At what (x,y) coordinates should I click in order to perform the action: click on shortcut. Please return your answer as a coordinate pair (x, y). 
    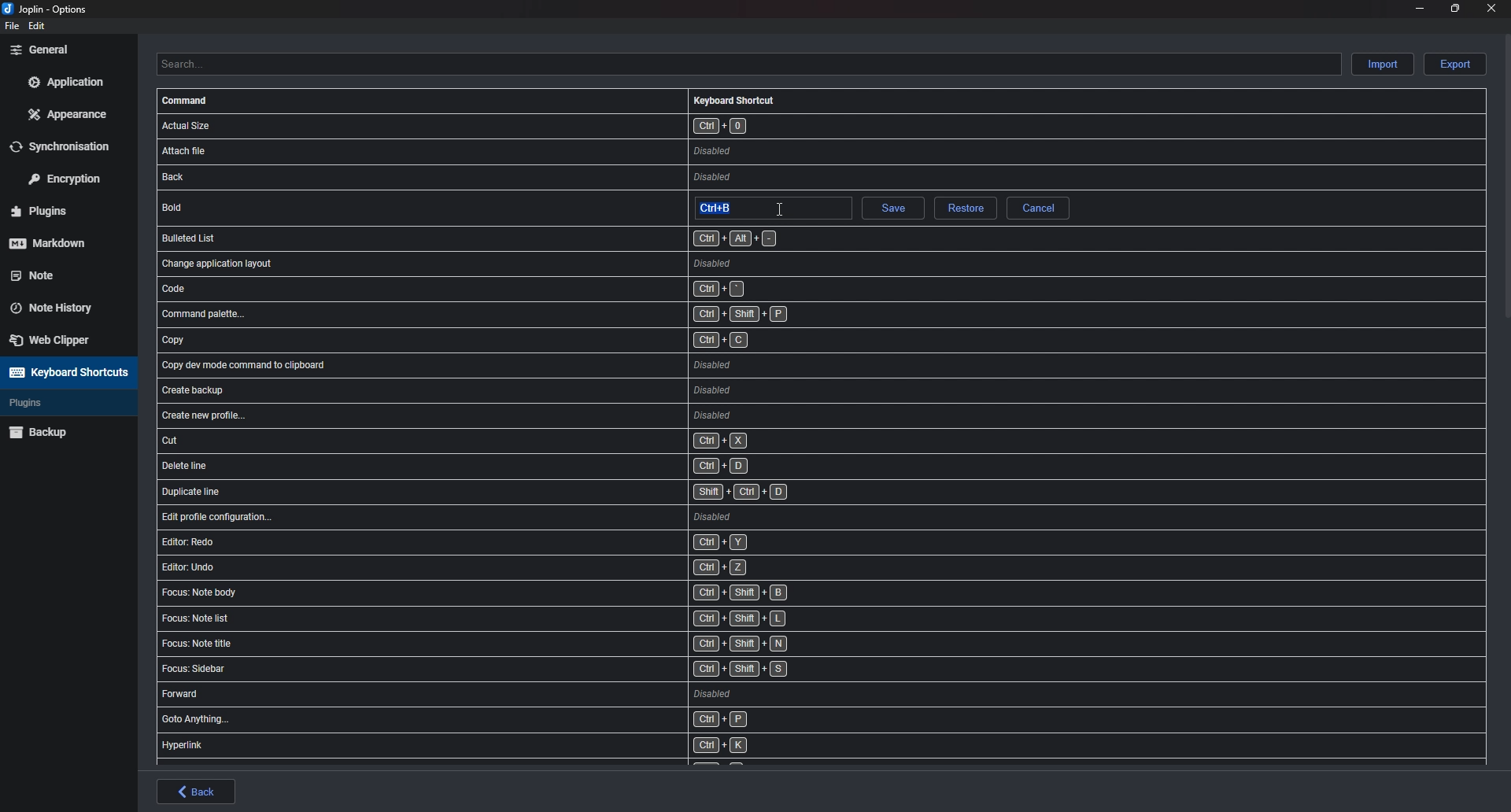
    Looking at the image, I should click on (535, 441).